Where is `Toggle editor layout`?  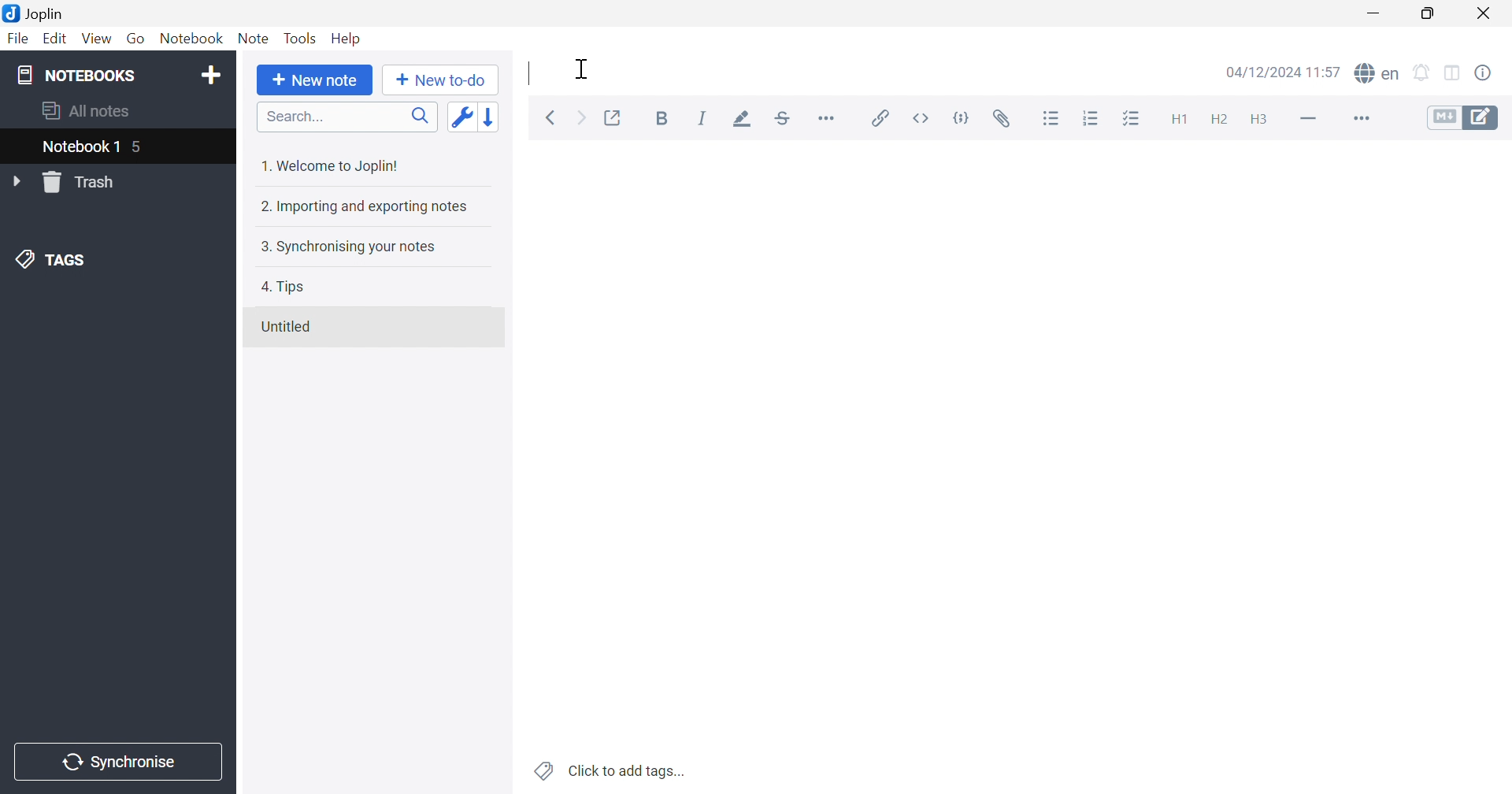 Toggle editor layout is located at coordinates (1454, 74).